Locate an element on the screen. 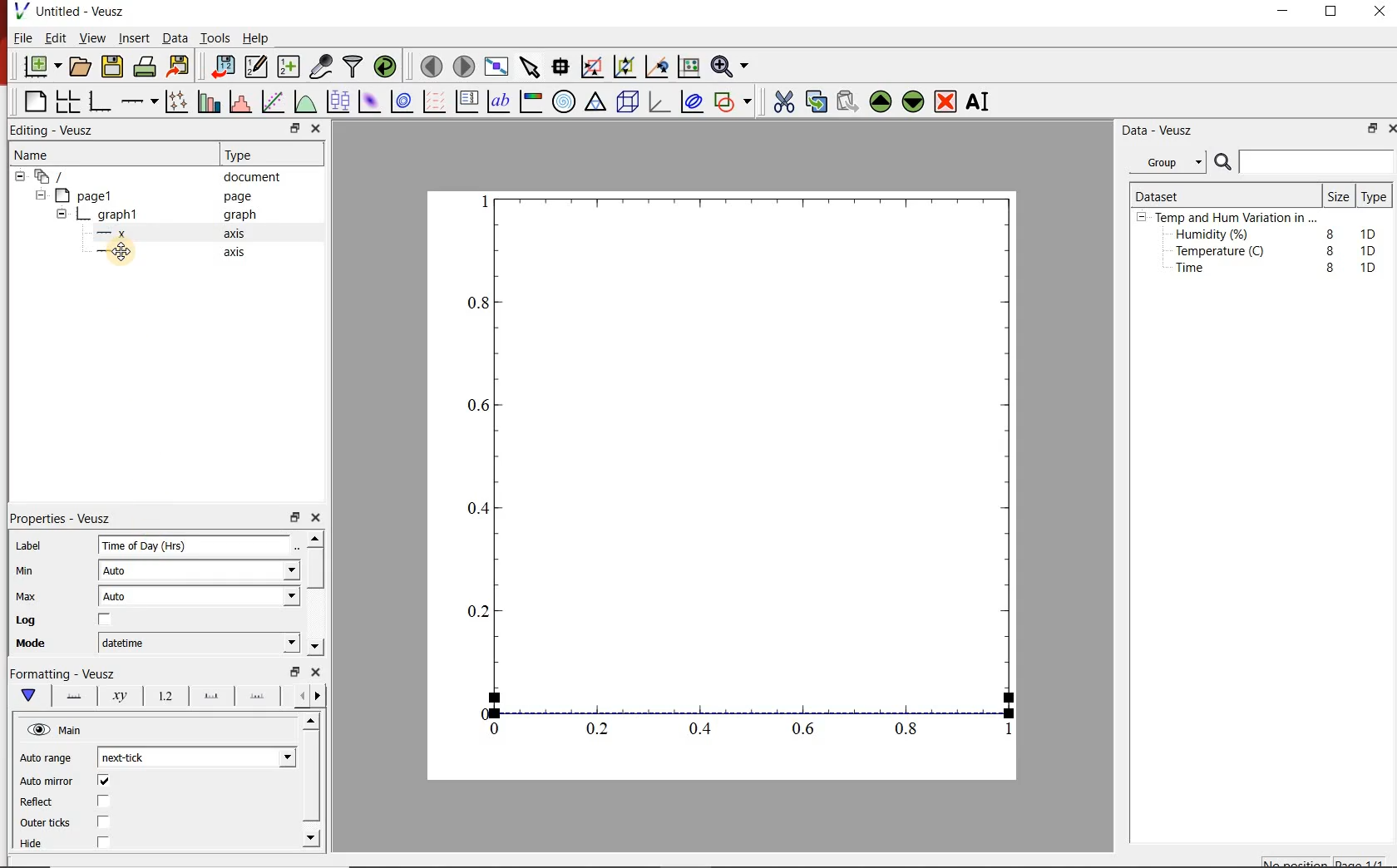  open a document is located at coordinates (81, 67).